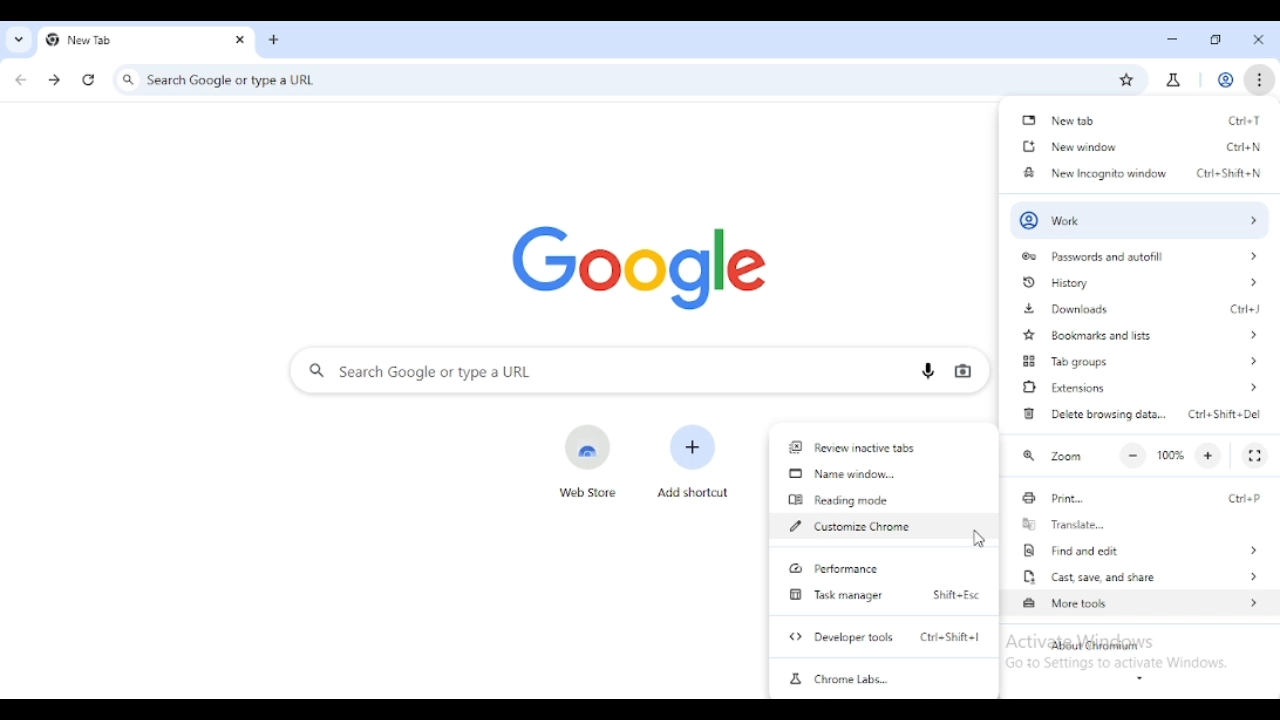  What do you see at coordinates (638, 263) in the screenshot?
I see `google` at bounding box center [638, 263].